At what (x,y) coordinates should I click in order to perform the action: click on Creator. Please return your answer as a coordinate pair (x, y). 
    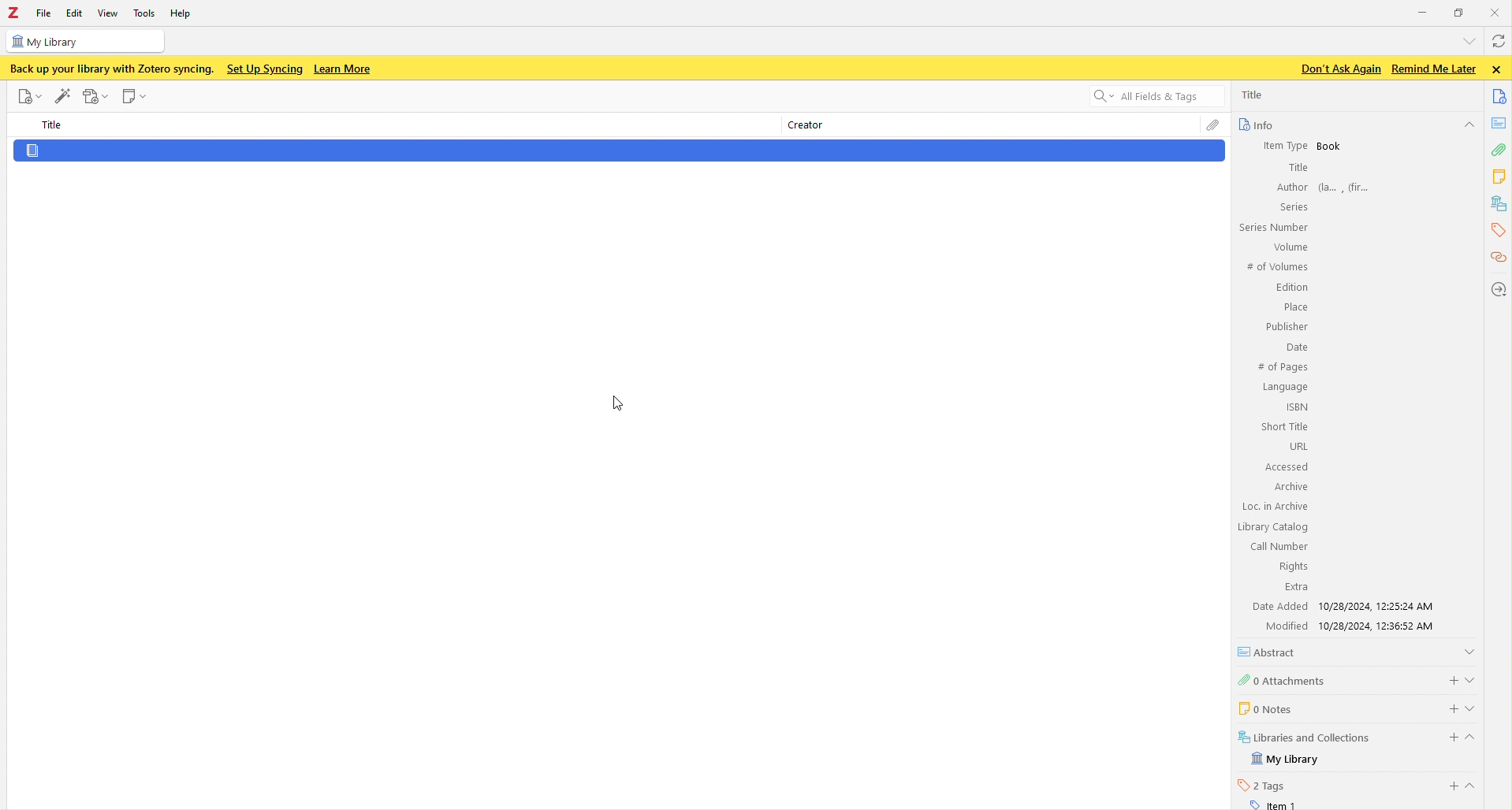
    Looking at the image, I should click on (802, 127).